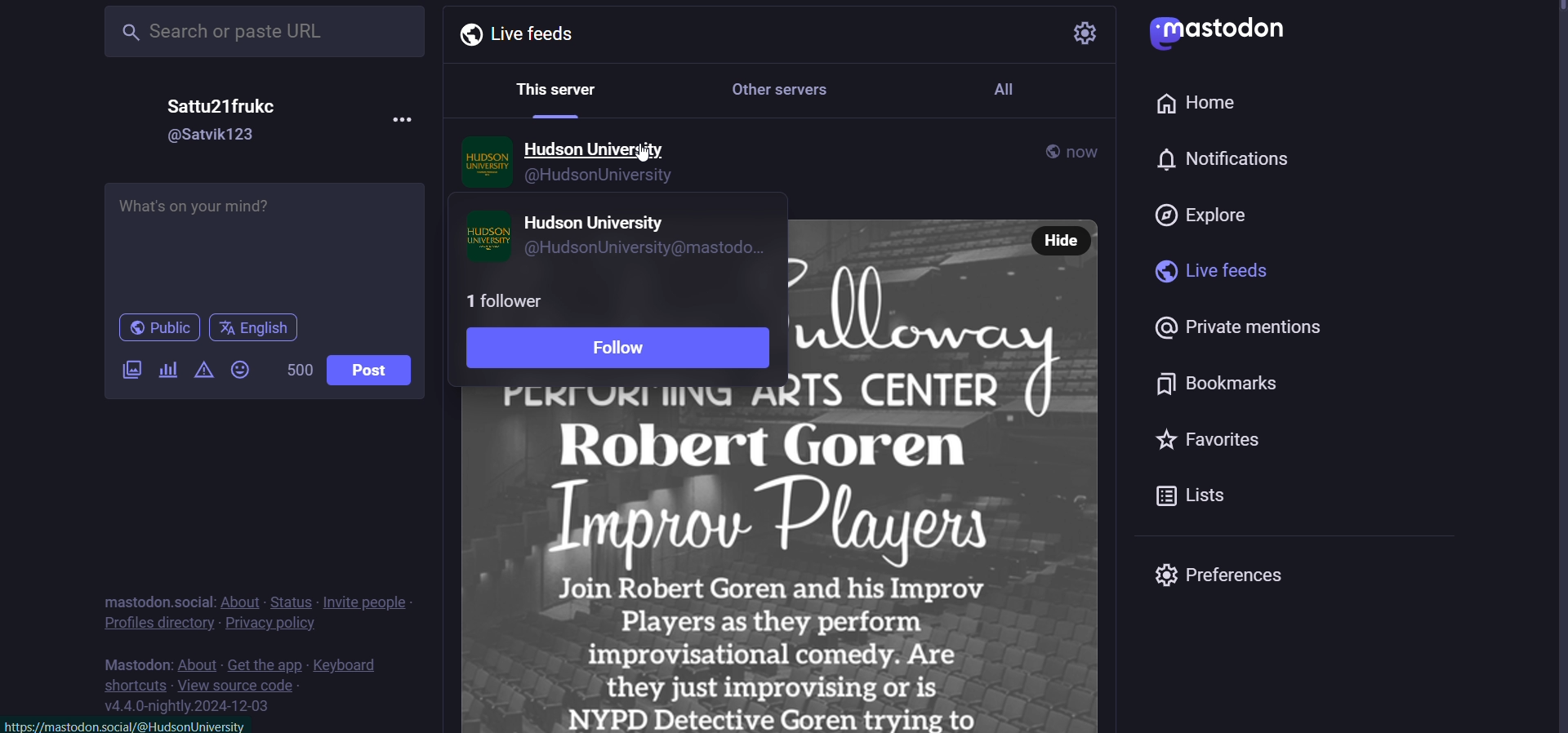 Image resolution: width=1568 pixels, height=733 pixels. I want to click on v4.4.0-nightly.2024-12-03, so click(190, 704).